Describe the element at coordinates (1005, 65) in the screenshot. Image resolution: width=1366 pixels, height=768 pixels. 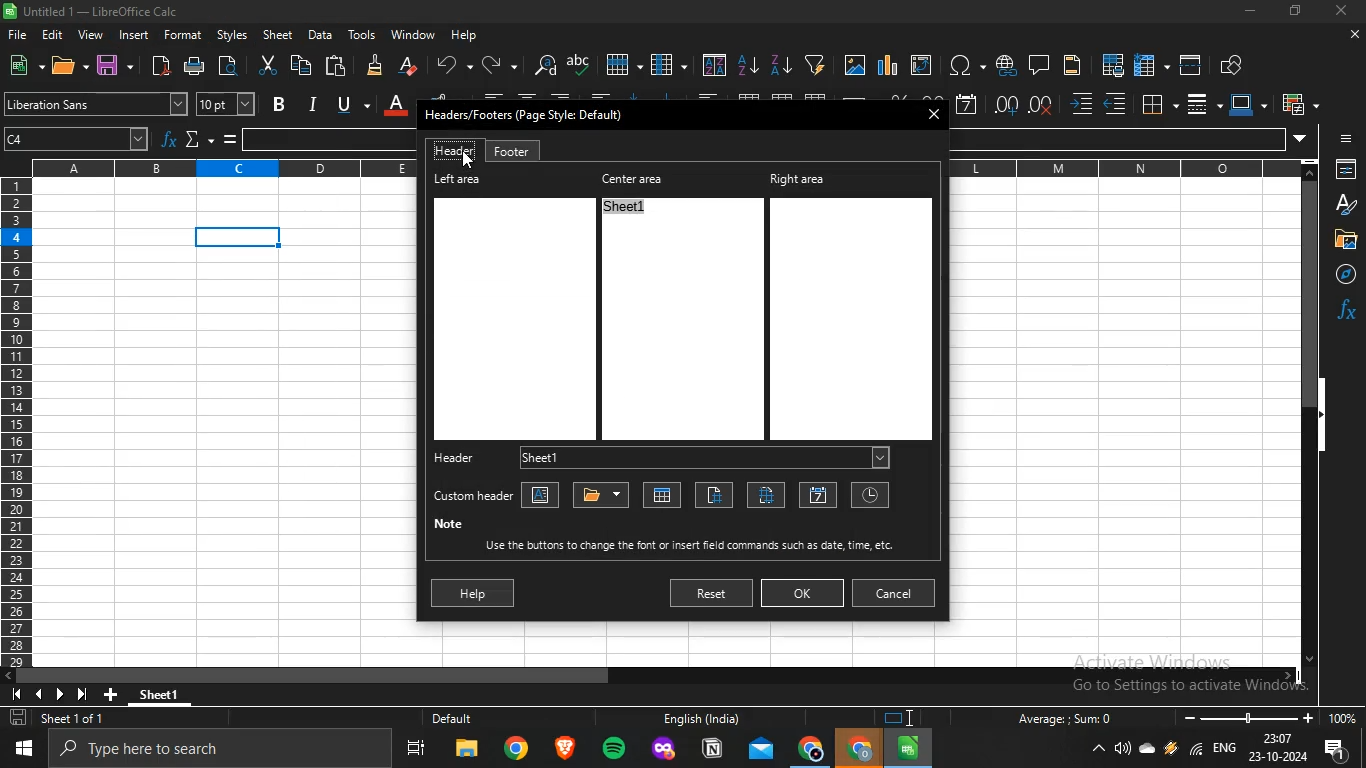
I see `insert hyperlink` at that location.